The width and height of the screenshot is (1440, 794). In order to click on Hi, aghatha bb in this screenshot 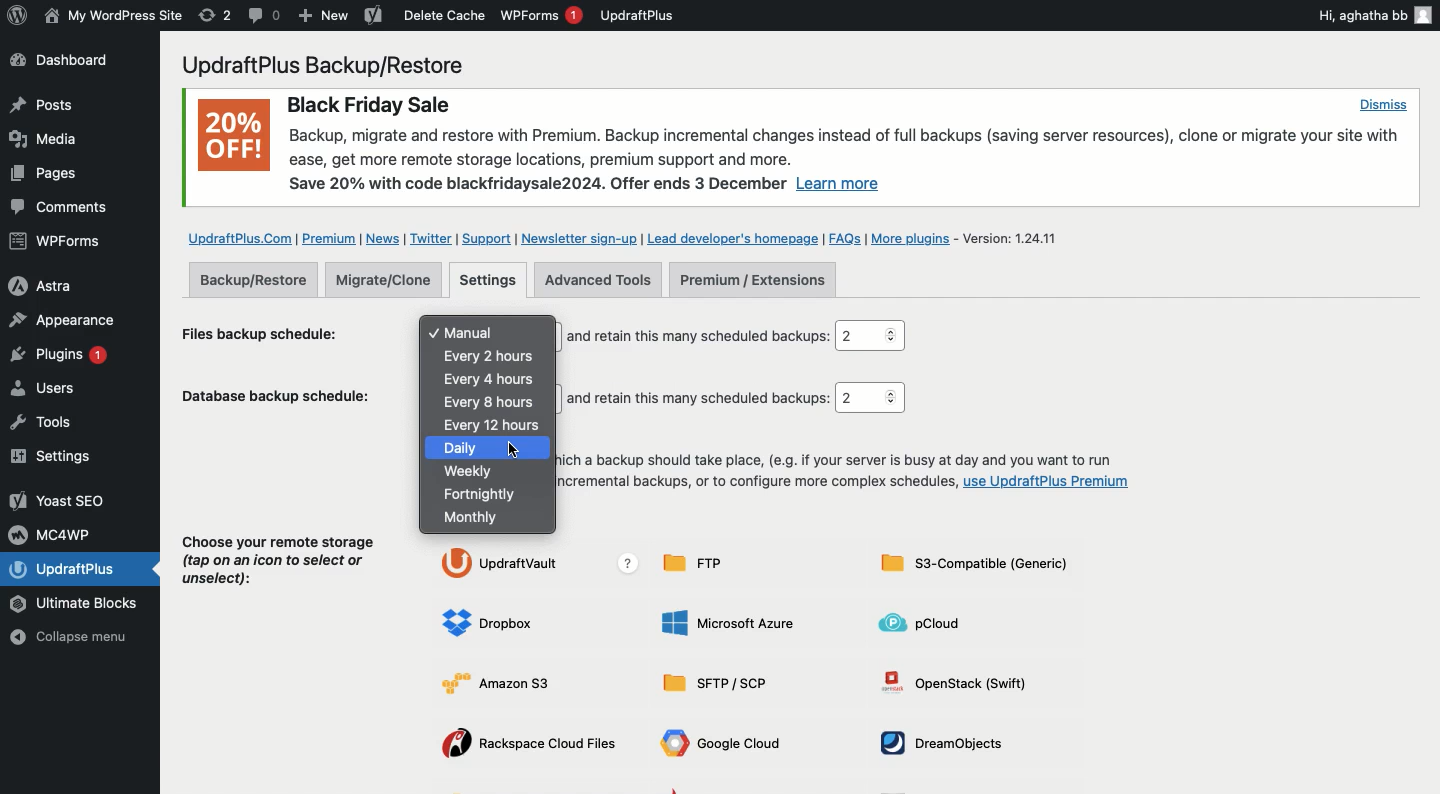, I will do `click(1373, 14)`.